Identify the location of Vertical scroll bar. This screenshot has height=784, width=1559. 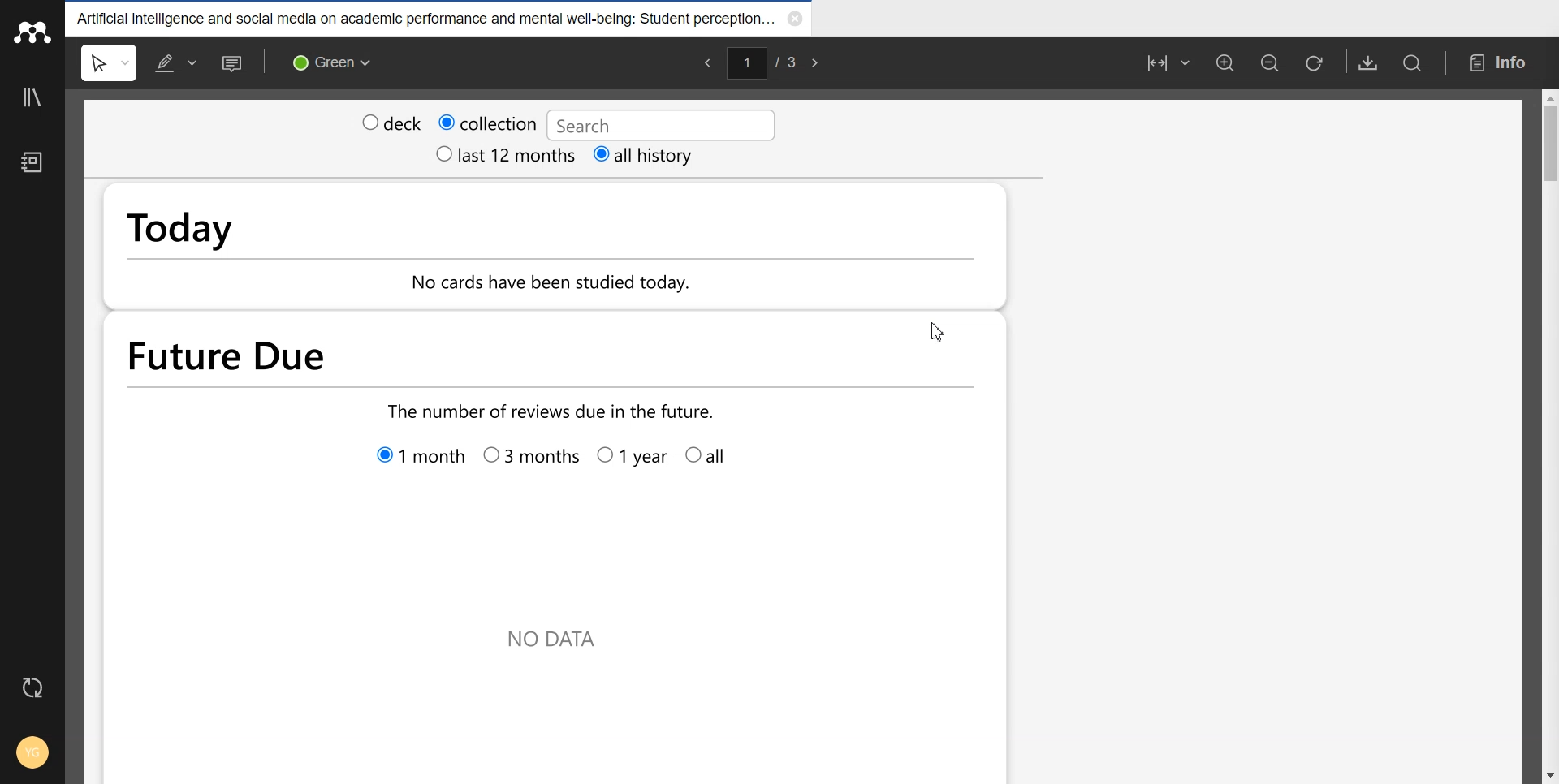
(1549, 435).